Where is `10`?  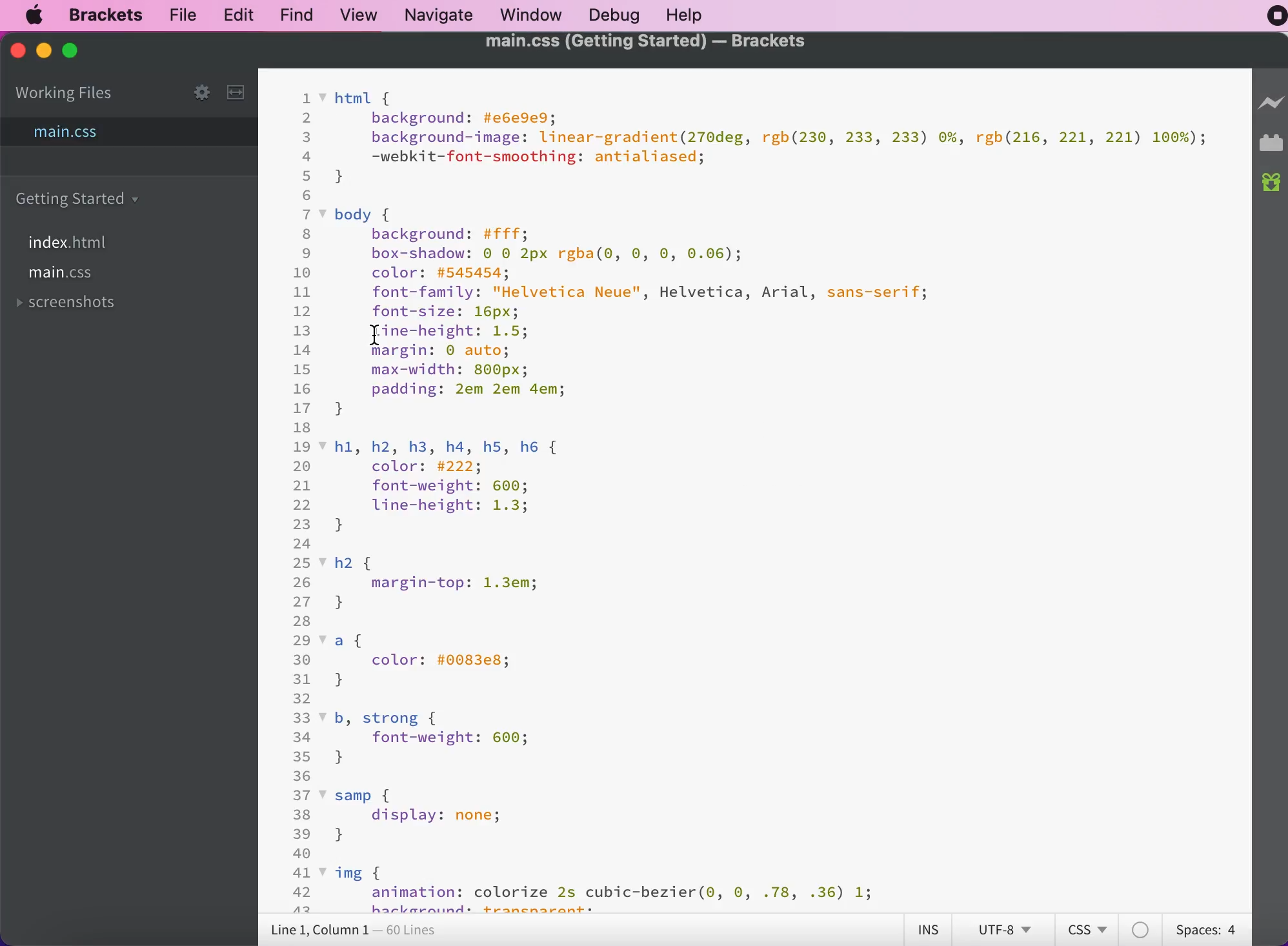
10 is located at coordinates (303, 273).